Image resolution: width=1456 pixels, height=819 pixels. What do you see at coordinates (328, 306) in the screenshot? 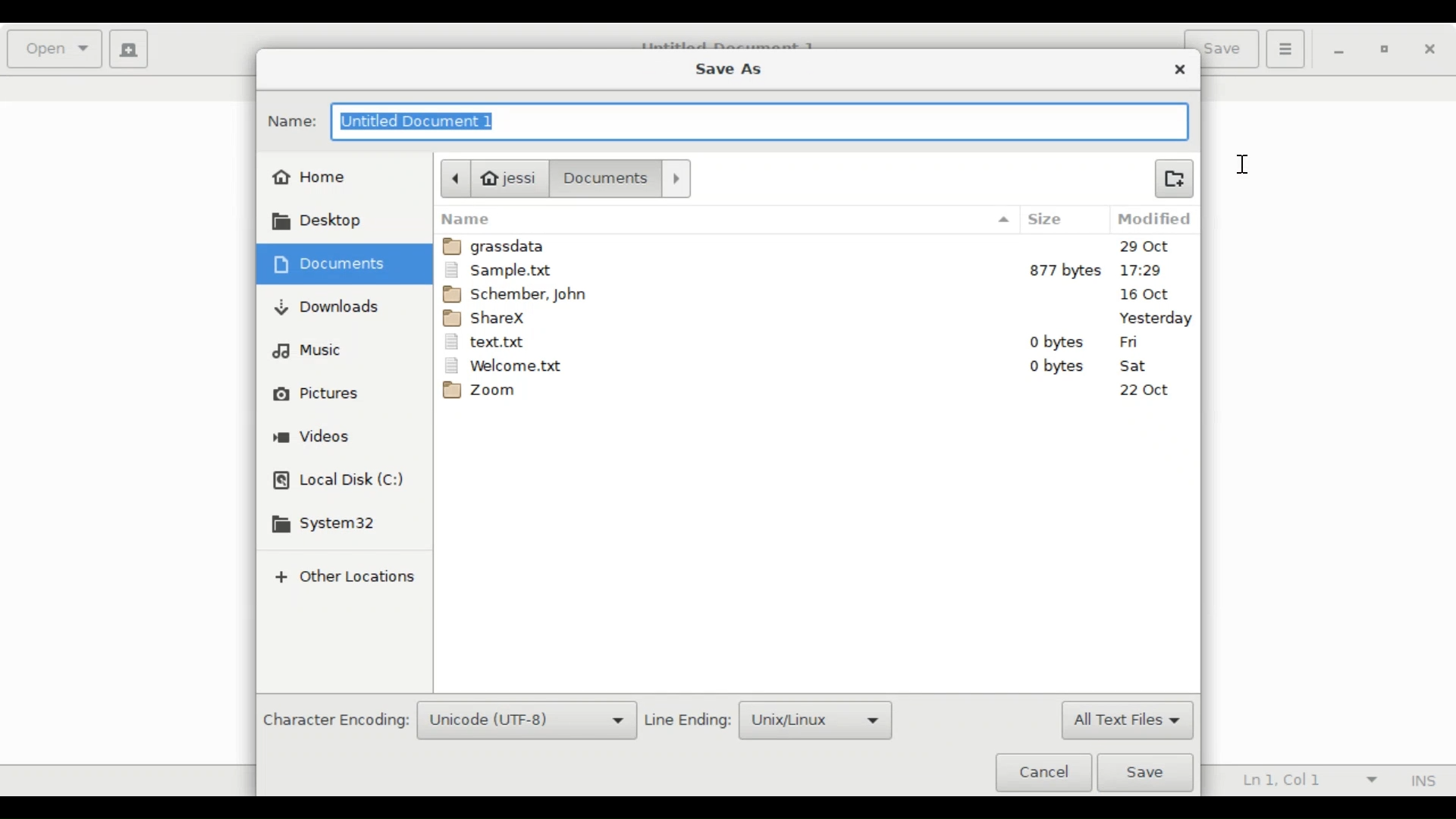
I see `Downloads` at bounding box center [328, 306].